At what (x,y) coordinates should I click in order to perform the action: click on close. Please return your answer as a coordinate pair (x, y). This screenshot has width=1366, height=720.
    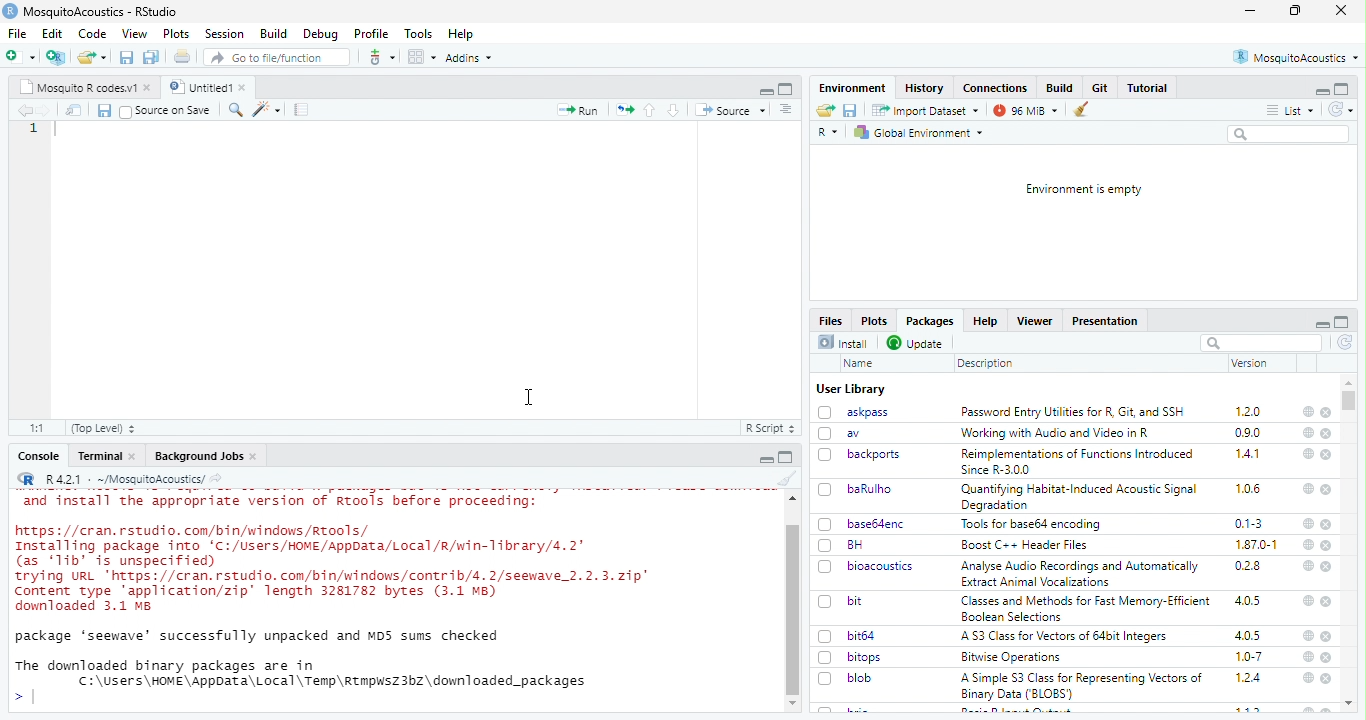
    Looking at the image, I should click on (1326, 601).